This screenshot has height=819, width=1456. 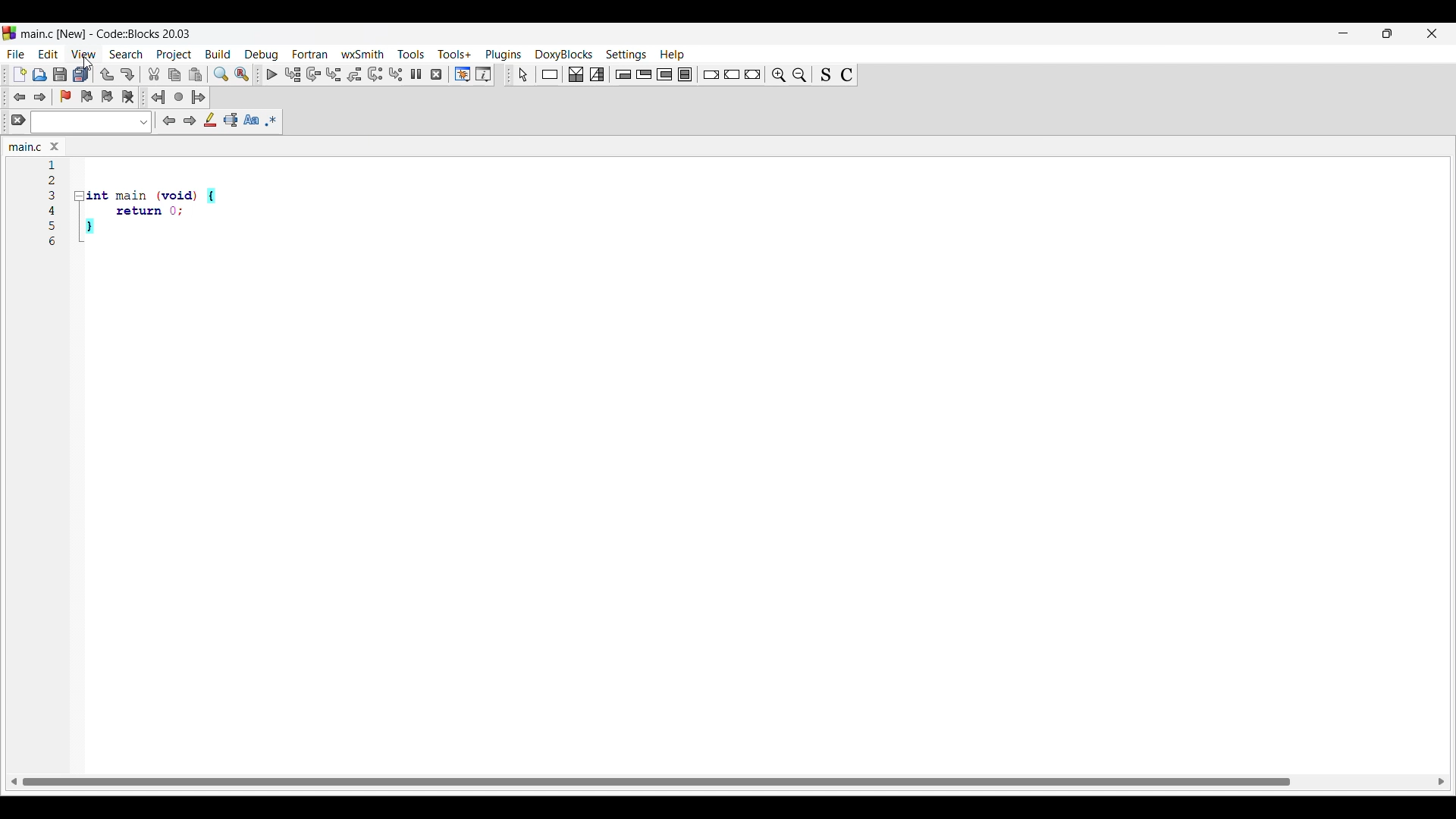 I want to click on Entry condition loop, so click(x=624, y=74).